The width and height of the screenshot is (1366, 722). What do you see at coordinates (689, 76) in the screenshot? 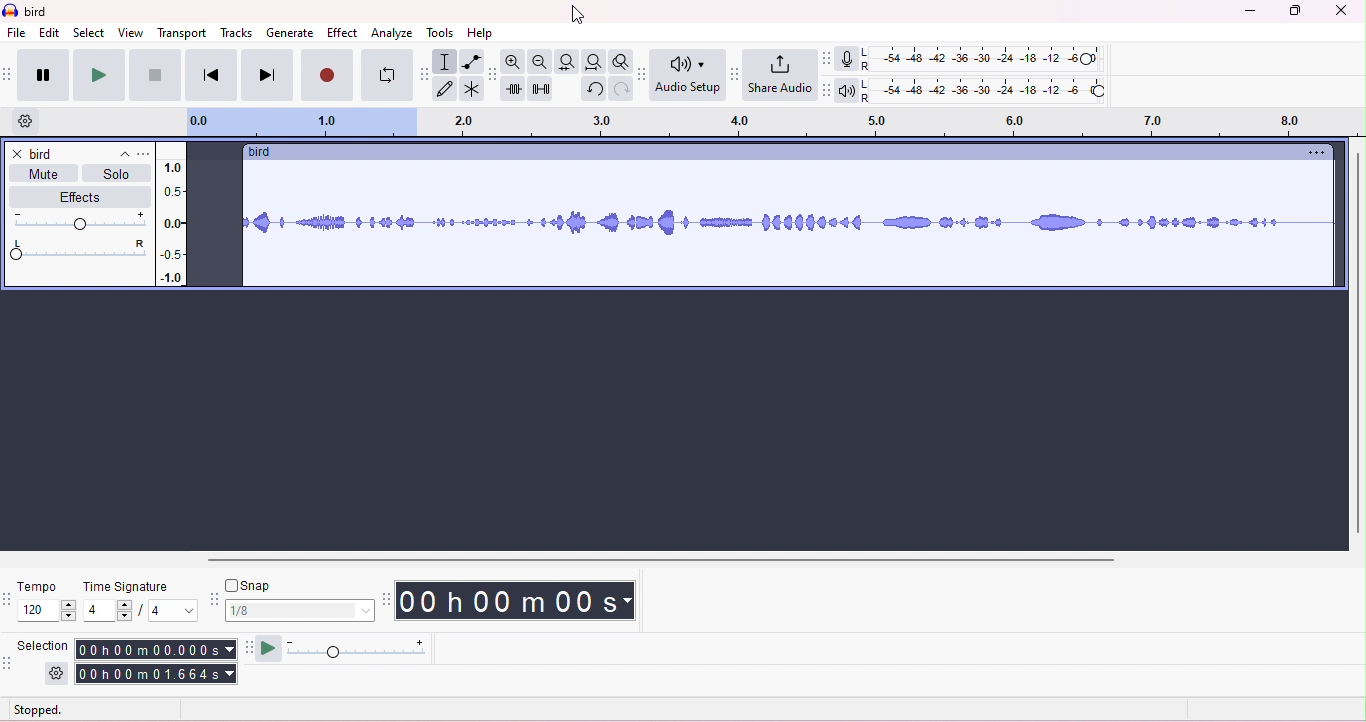
I see `audio set up ` at bounding box center [689, 76].